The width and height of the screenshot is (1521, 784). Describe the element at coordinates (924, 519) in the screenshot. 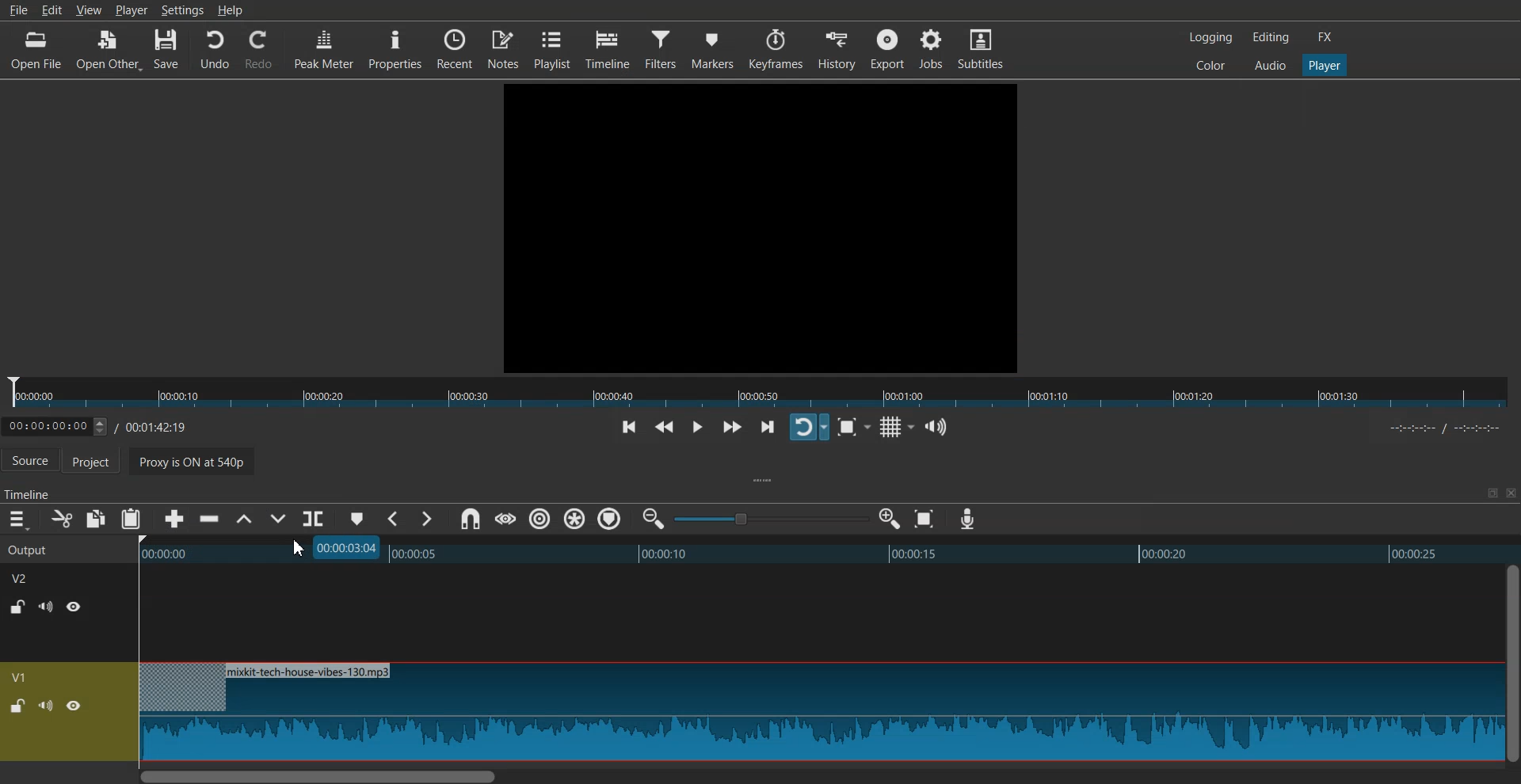

I see `Zoom timeline to Fit` at that location.